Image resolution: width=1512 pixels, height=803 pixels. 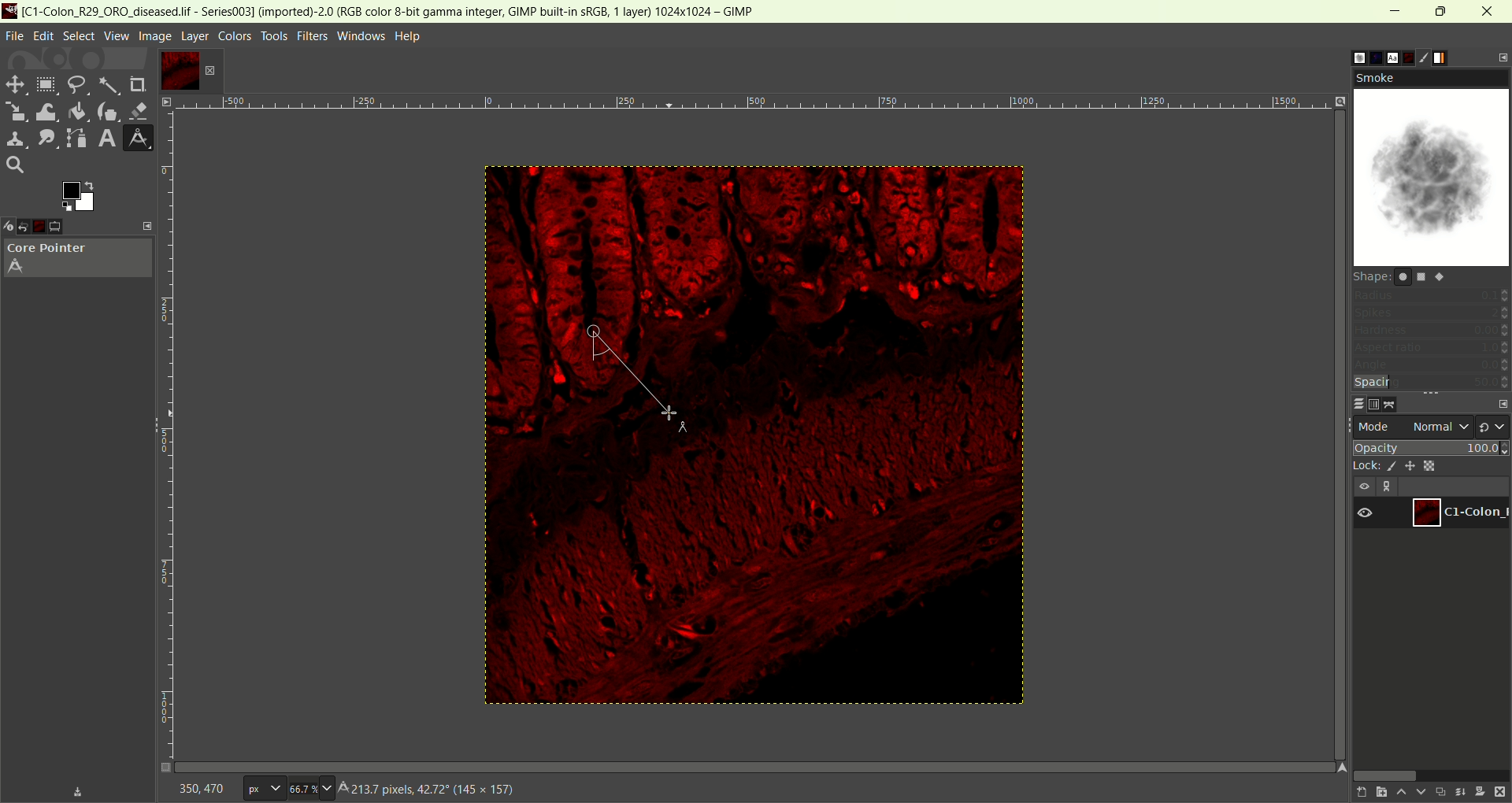 I want to click on cursor, so click(x=665, y=413).